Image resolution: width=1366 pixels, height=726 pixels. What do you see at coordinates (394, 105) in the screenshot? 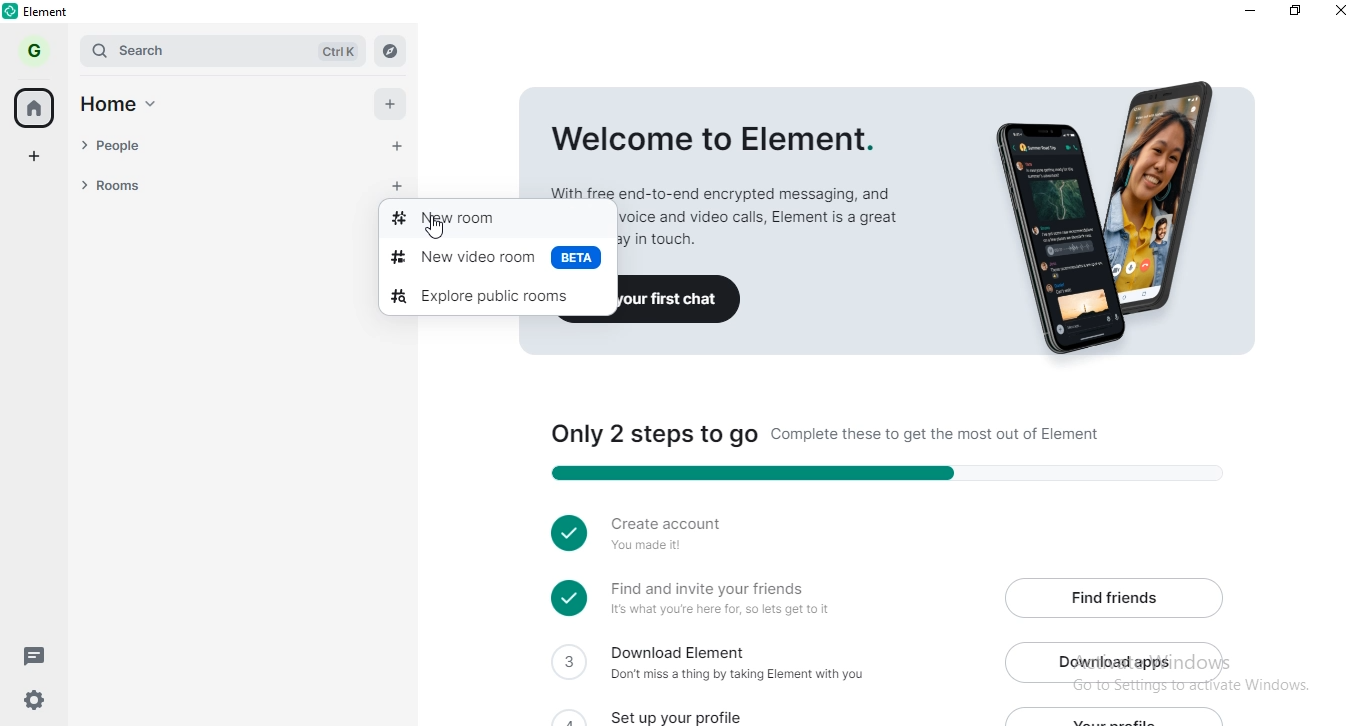
I see `add ` at bounding box center [394, 105].